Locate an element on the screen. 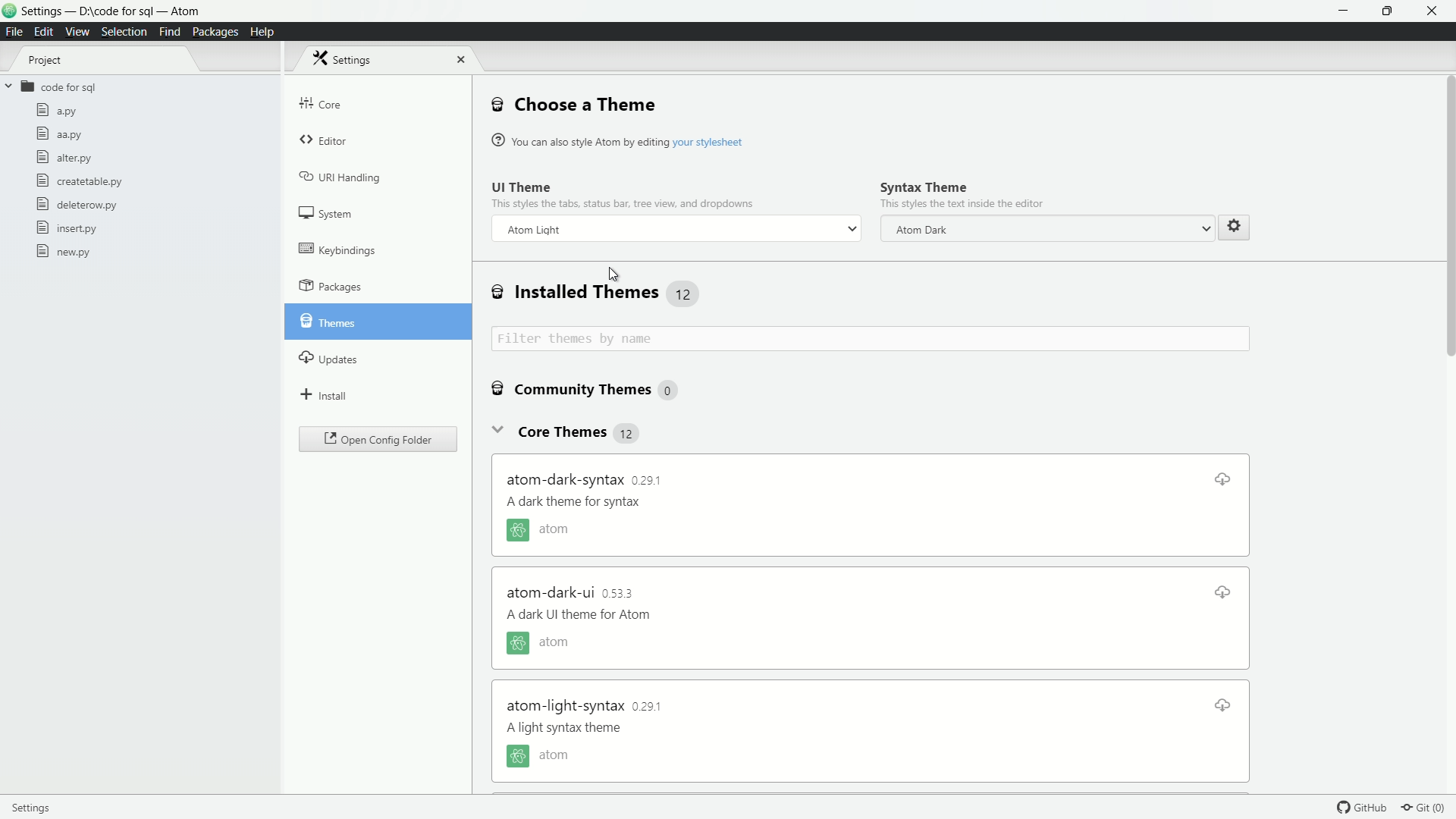  download is located at coordinates (1219, 704).